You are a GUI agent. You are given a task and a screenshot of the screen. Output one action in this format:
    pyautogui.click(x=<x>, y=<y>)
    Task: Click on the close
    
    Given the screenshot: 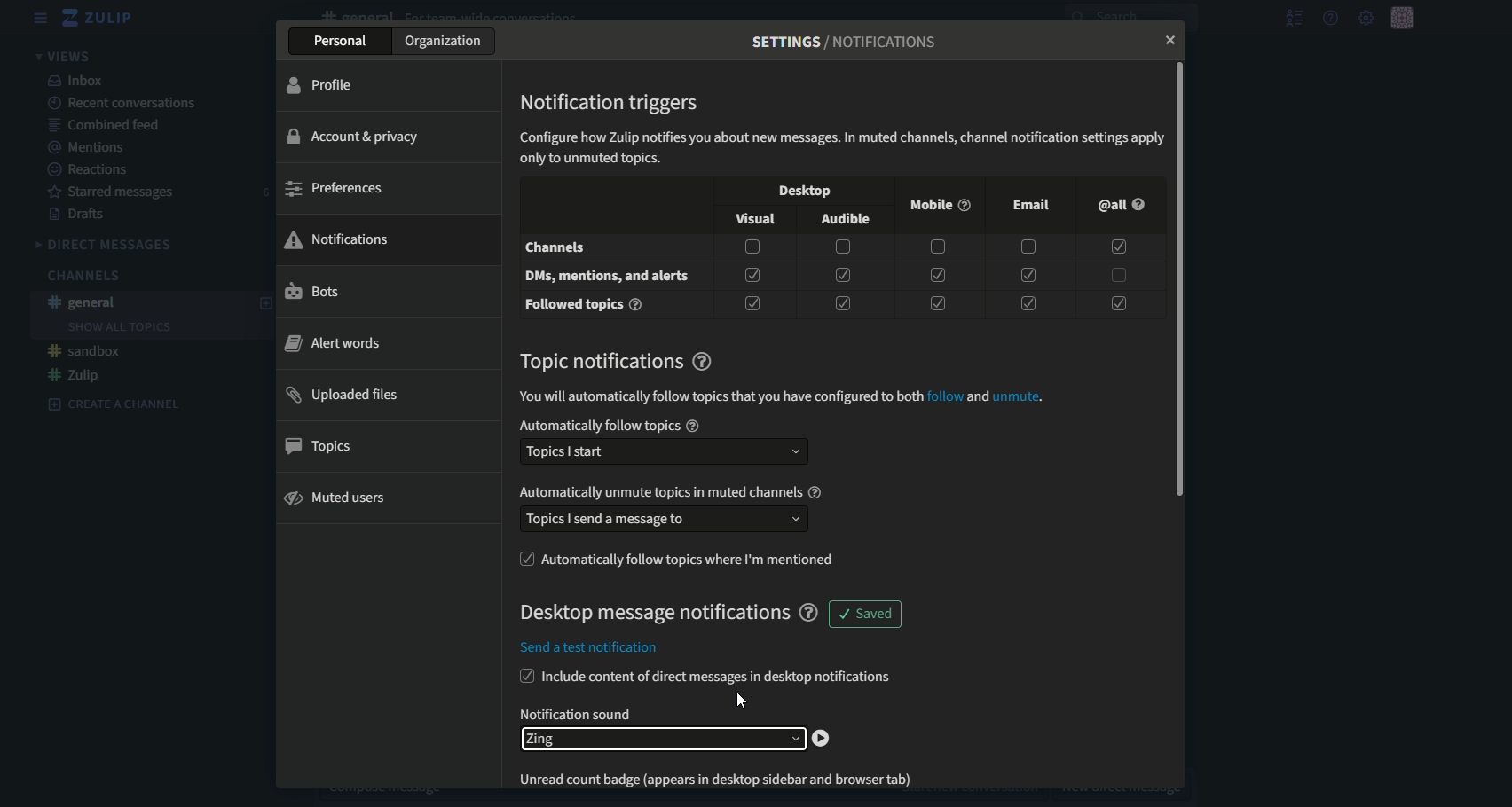 What is the action you would take?
    pyautogui.click(x=1166, y=42)
    